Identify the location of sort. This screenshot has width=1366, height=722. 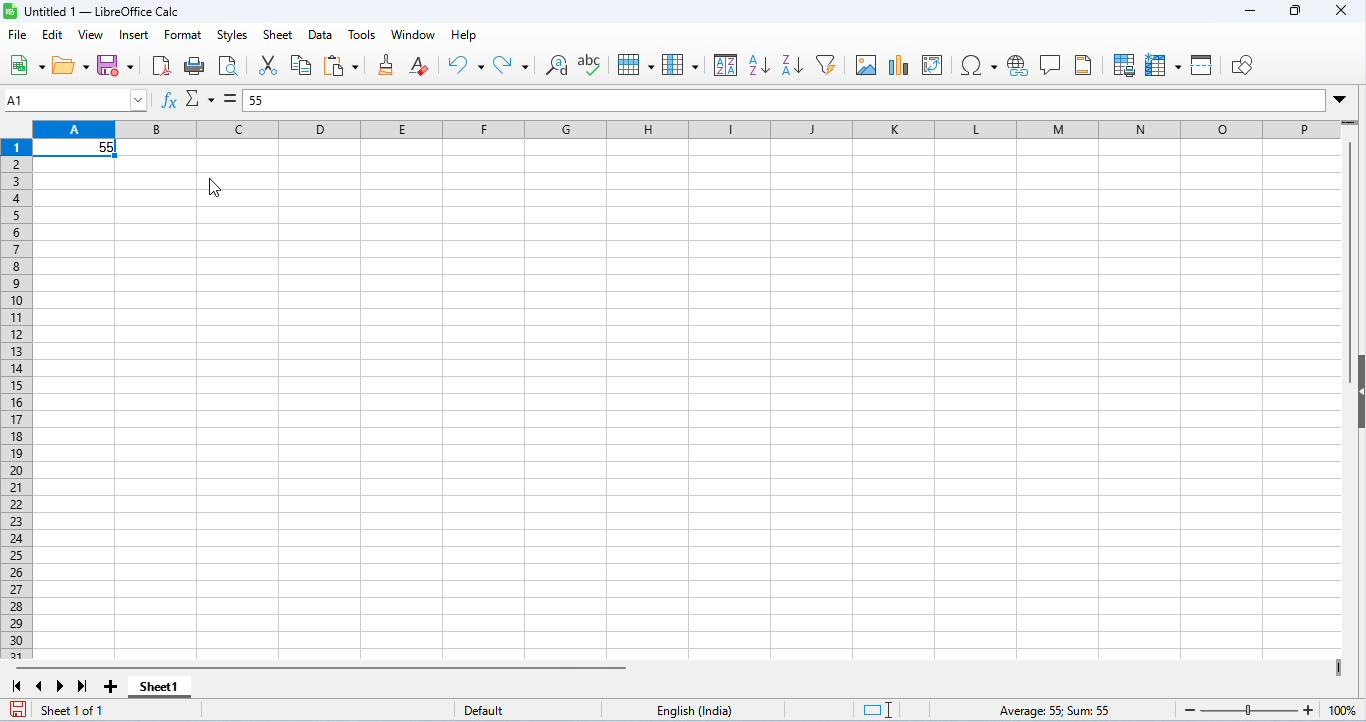
(726, 66).